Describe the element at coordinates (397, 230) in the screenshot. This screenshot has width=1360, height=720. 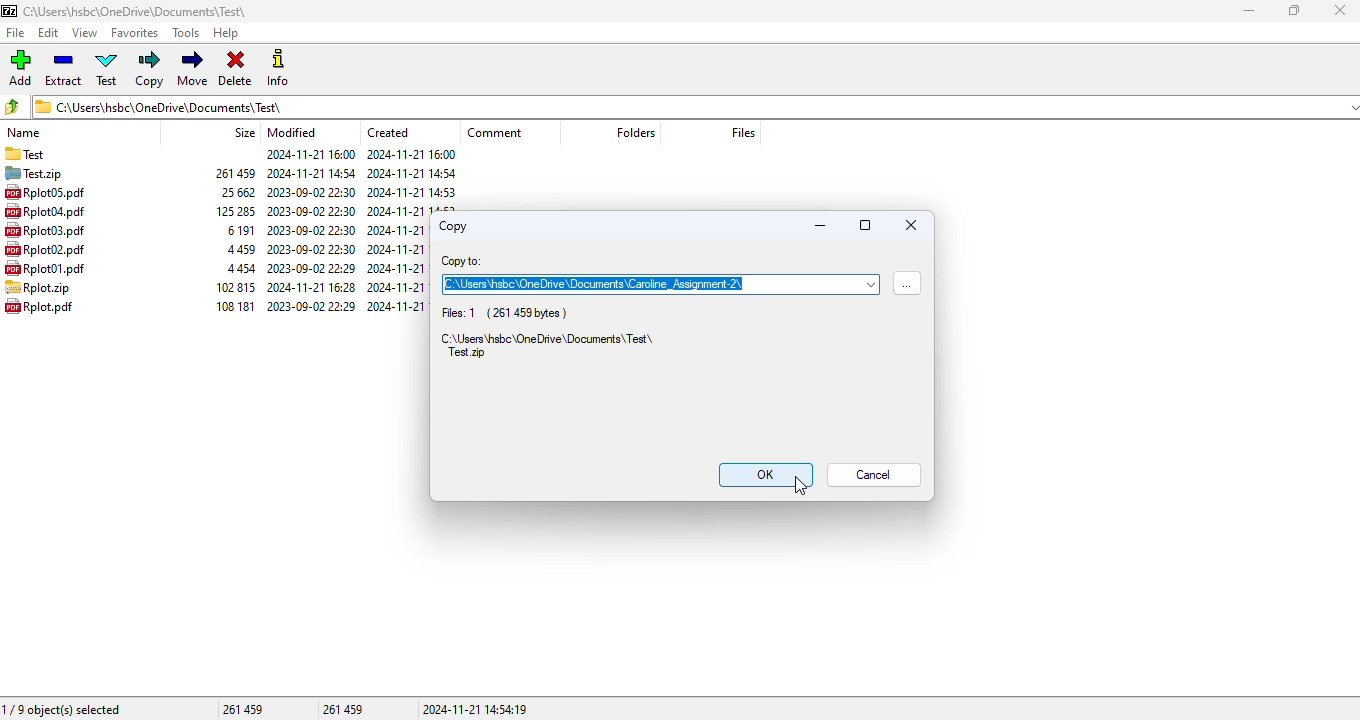
I see `created date & time` at that location.